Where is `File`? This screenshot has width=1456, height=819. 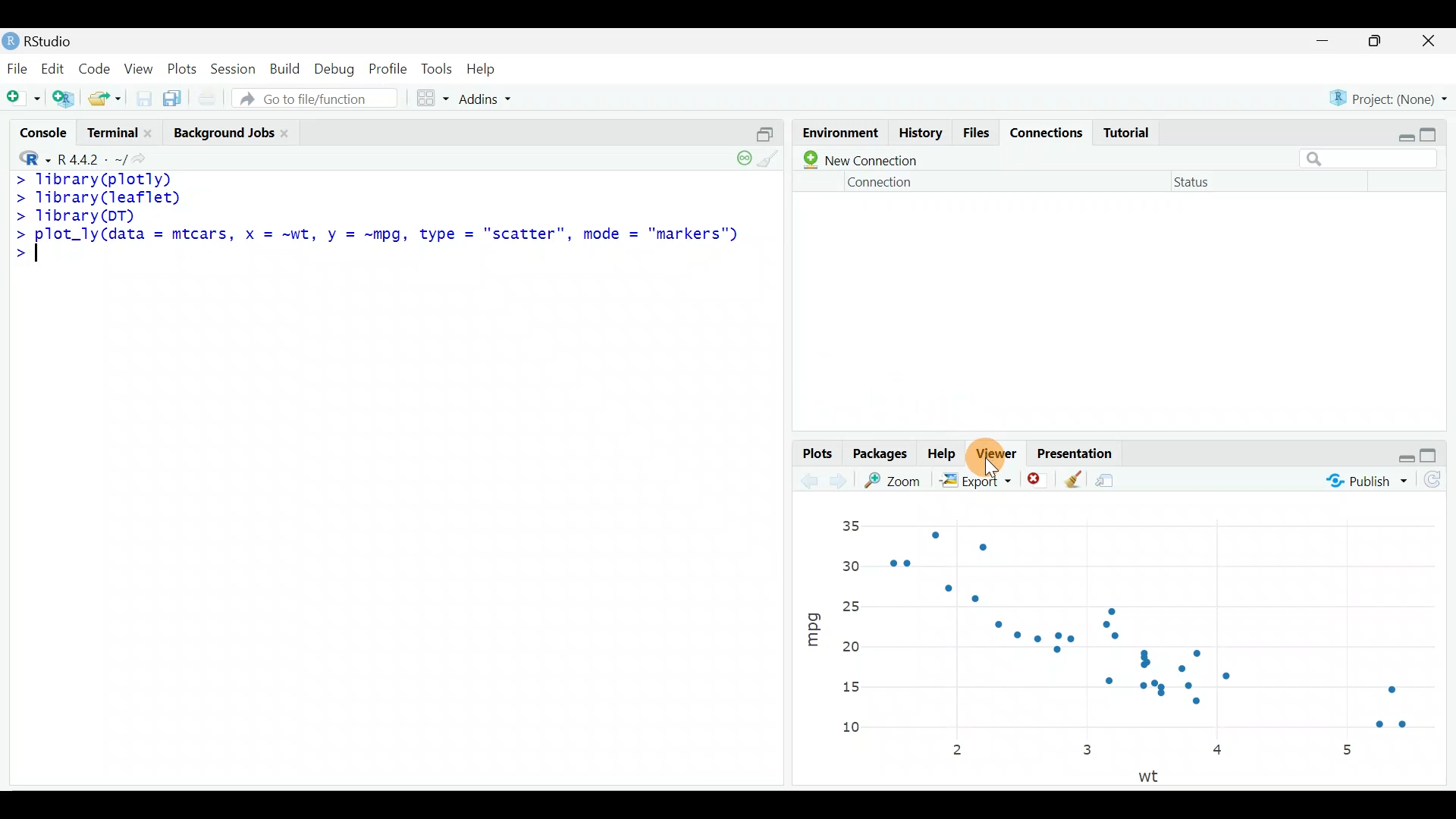 File is located at coordinates (17, 67).